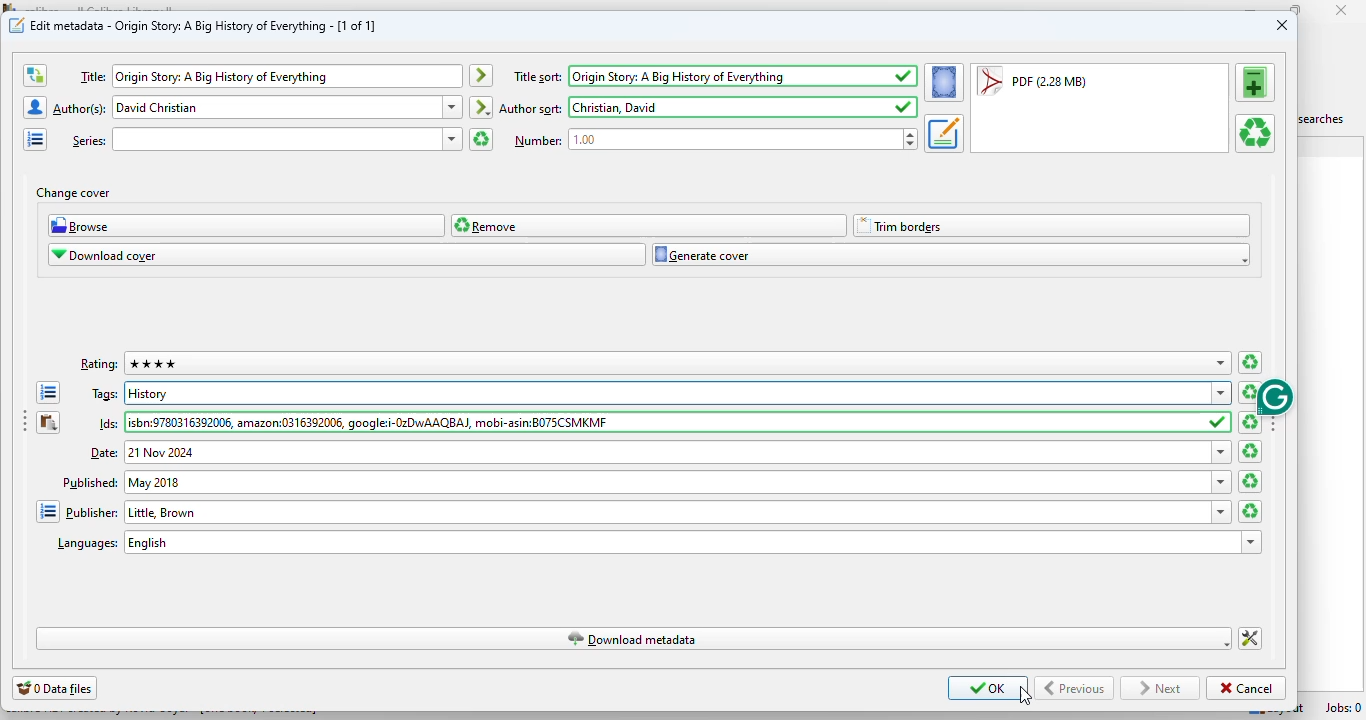 The width and height of the screenshot is (1366, 720). What do you see at coordinates (667, 512) in the screenshot?
I see `Publisher: Little, Brown` at bounding box center [667, 512].